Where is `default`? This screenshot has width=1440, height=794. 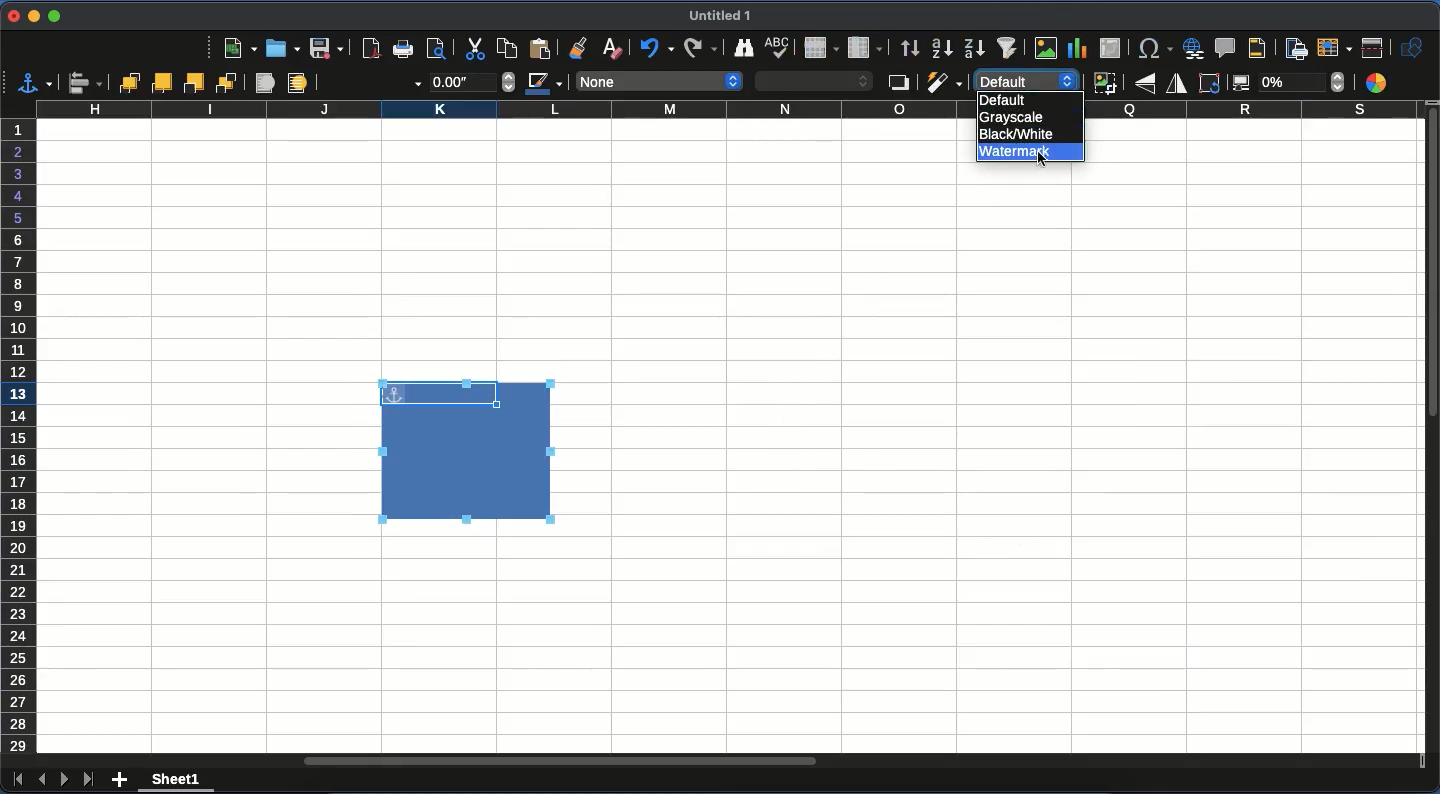
default is located at coordinates (1031, 80).